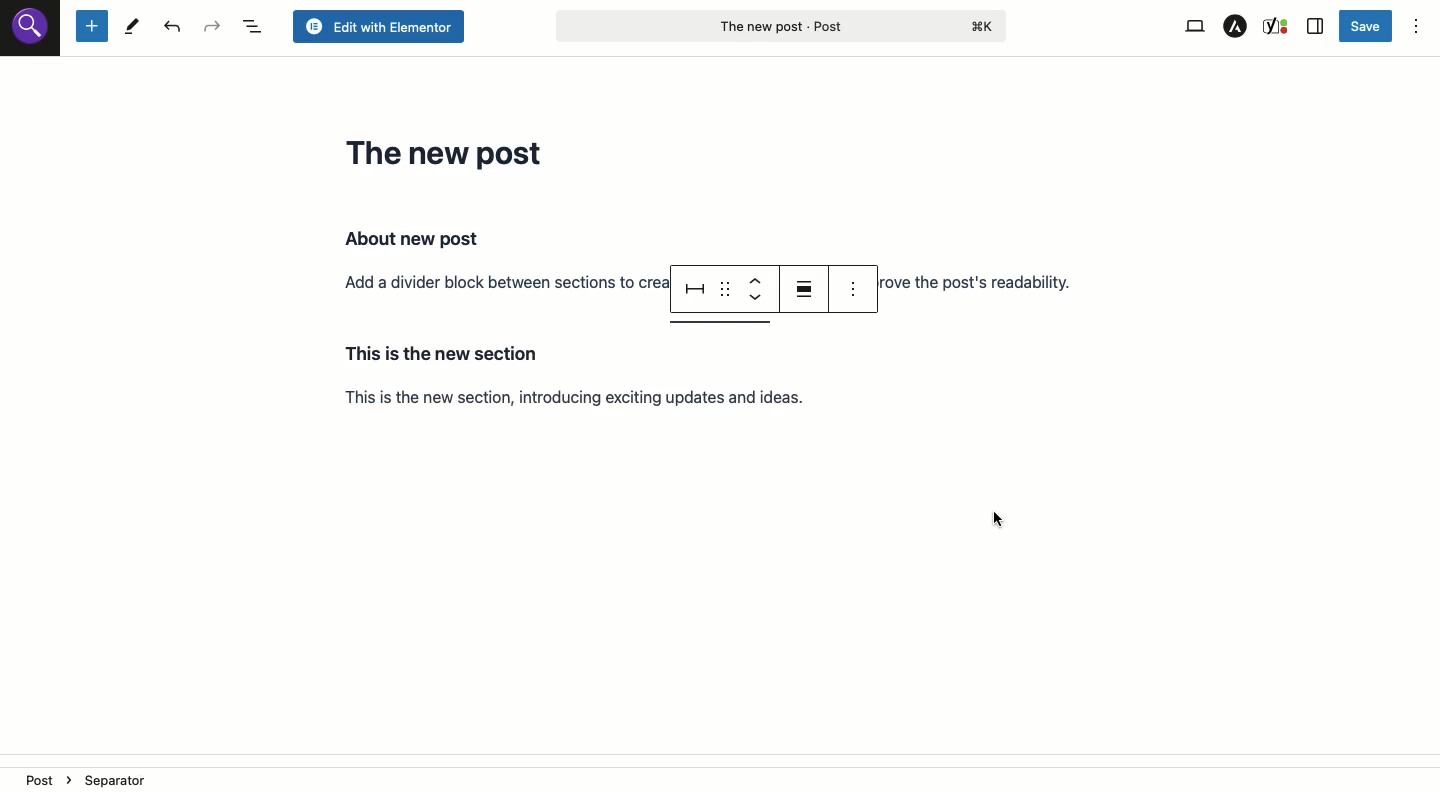 This screenshot has width=1440, height=792. I want to click on Align, so click(807, 290).